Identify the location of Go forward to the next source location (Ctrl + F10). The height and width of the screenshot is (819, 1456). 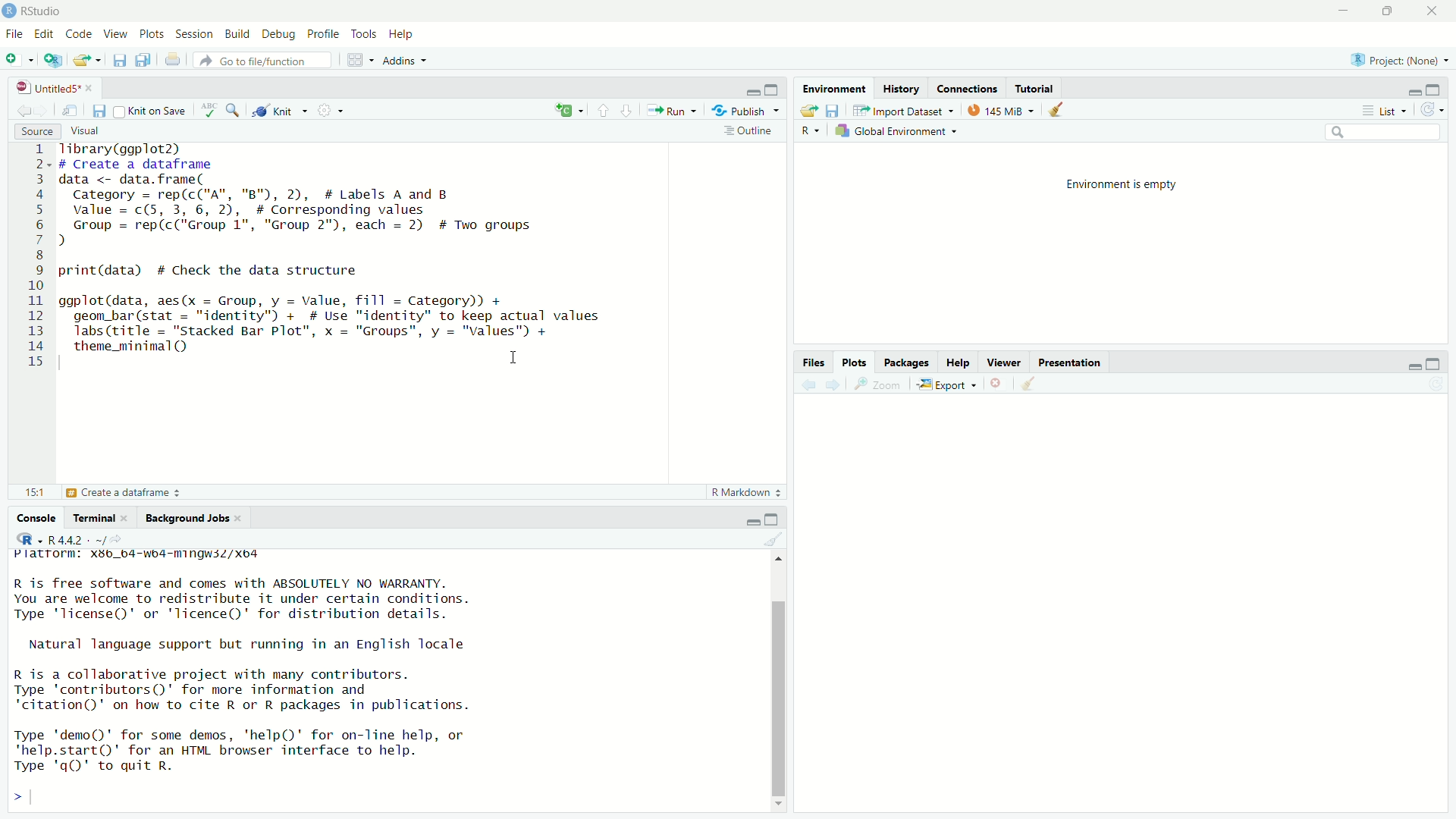
(43, 108).